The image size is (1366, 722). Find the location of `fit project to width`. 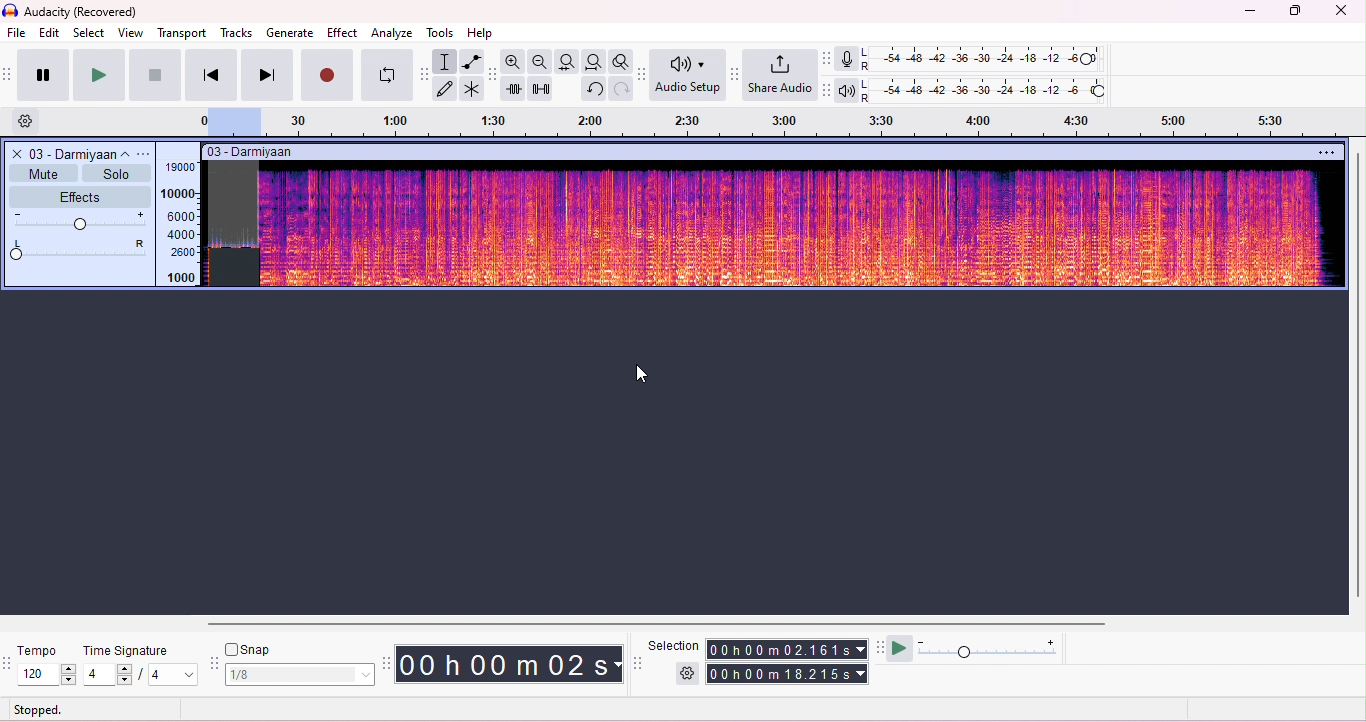

fit project to width is located at coordinates (593, 62).